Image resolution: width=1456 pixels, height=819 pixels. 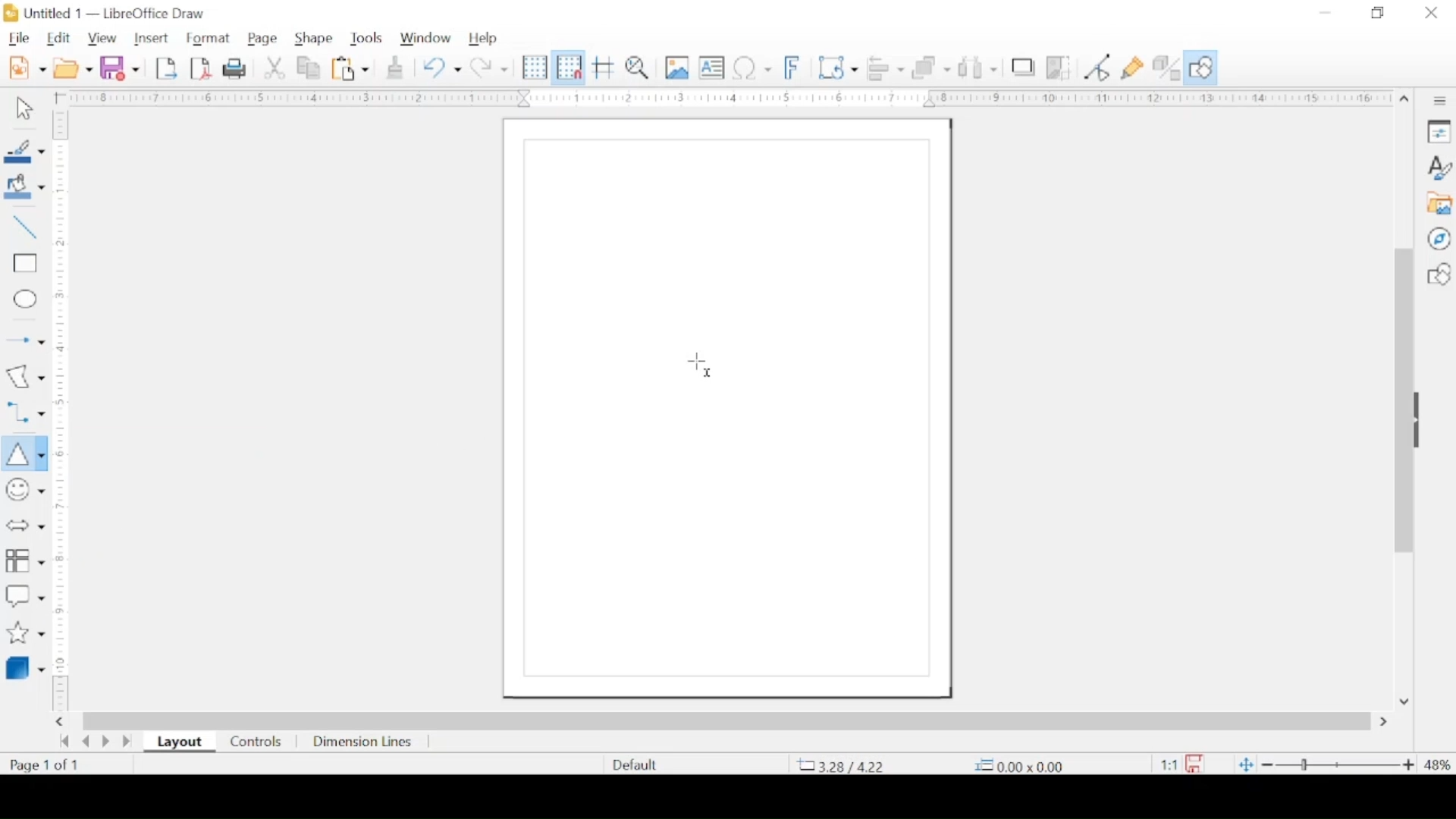 What do you see at coordinates (1404, 99) in the screenshot?
I see `scroll up ` at bounding box center [1404, 99].